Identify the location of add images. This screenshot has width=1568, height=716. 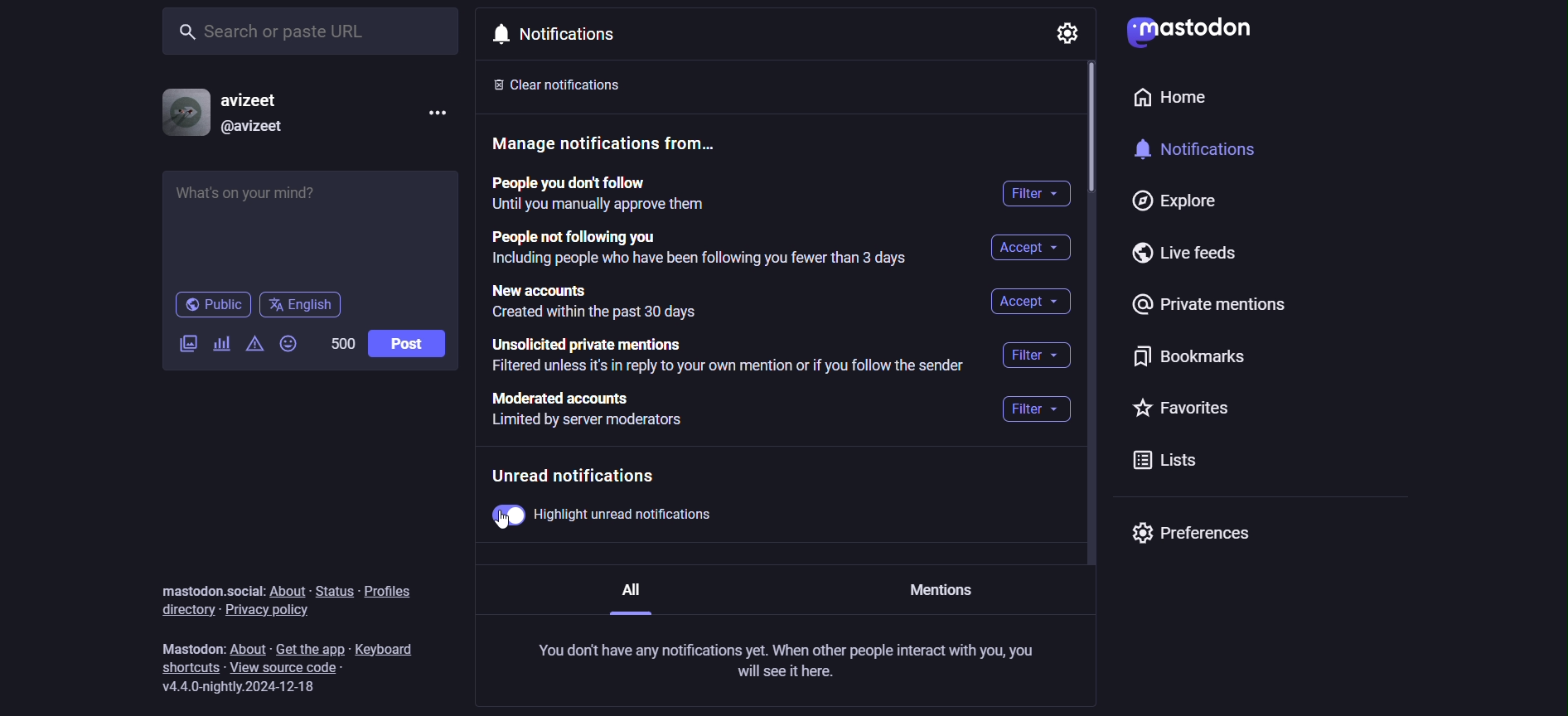
(185, 344).